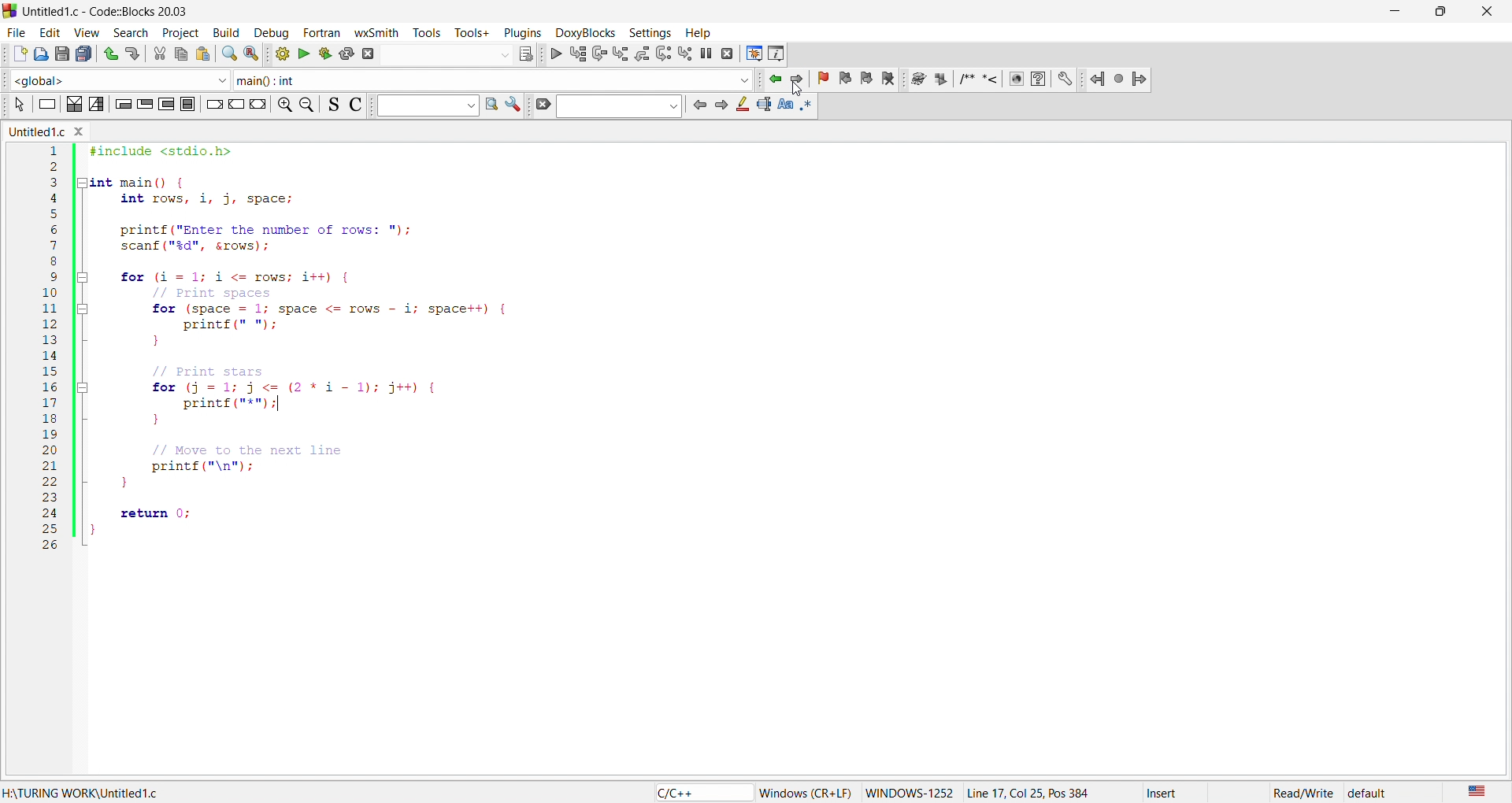 The image size is (1512, 803). What do you see at coordinates (47, 132) in the screenshot?
I see `untitled.c window` at bounding box center [47, 132].